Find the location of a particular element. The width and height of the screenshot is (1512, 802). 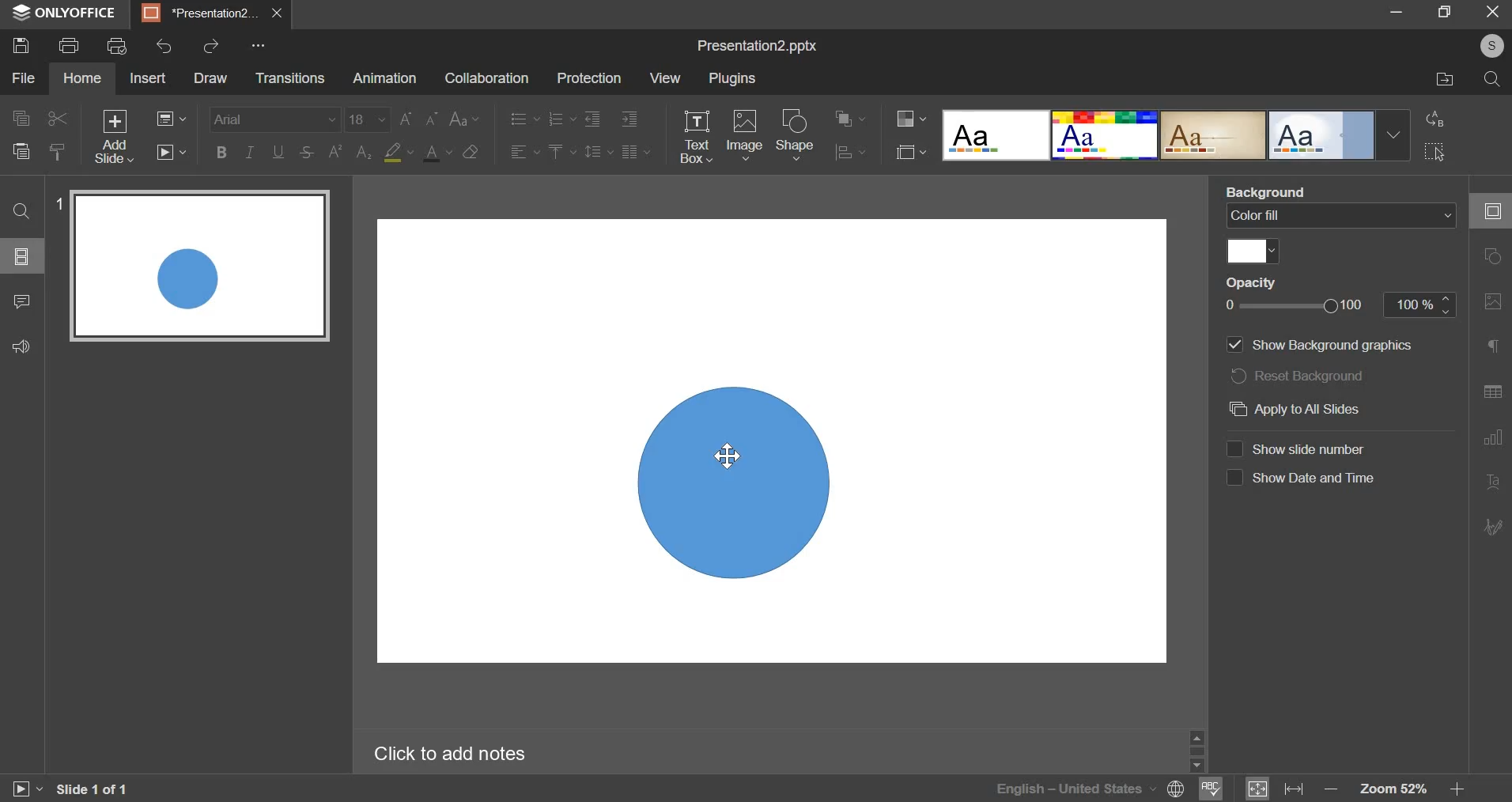

decrease indent is located at coordinates (630, 119).